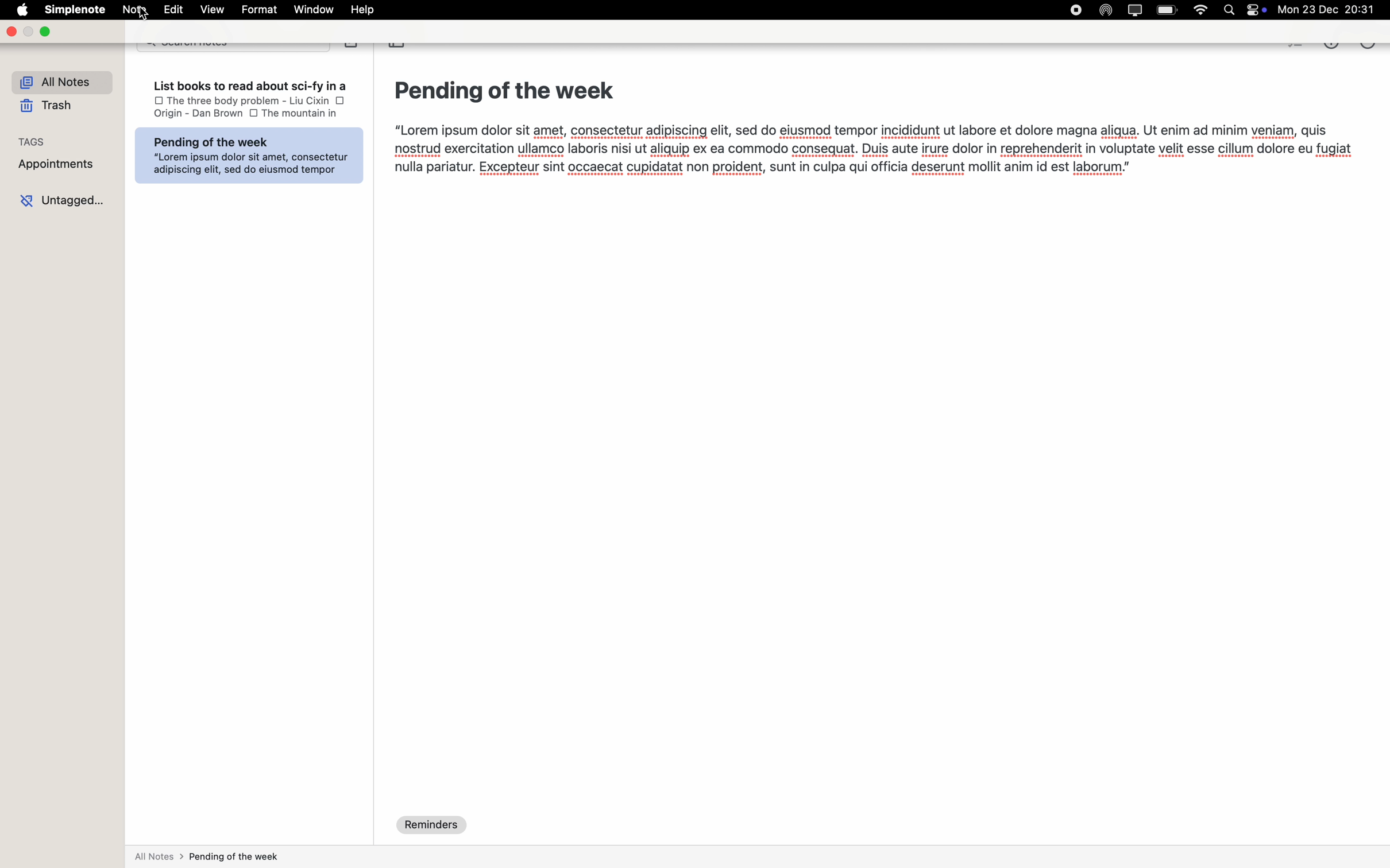 The width and height of the screenshot is (1390, 868). What do you see at coordinates (1227, 10) in the screenshot?
I see `Spotlight search` at bounding box center [1227, 10].